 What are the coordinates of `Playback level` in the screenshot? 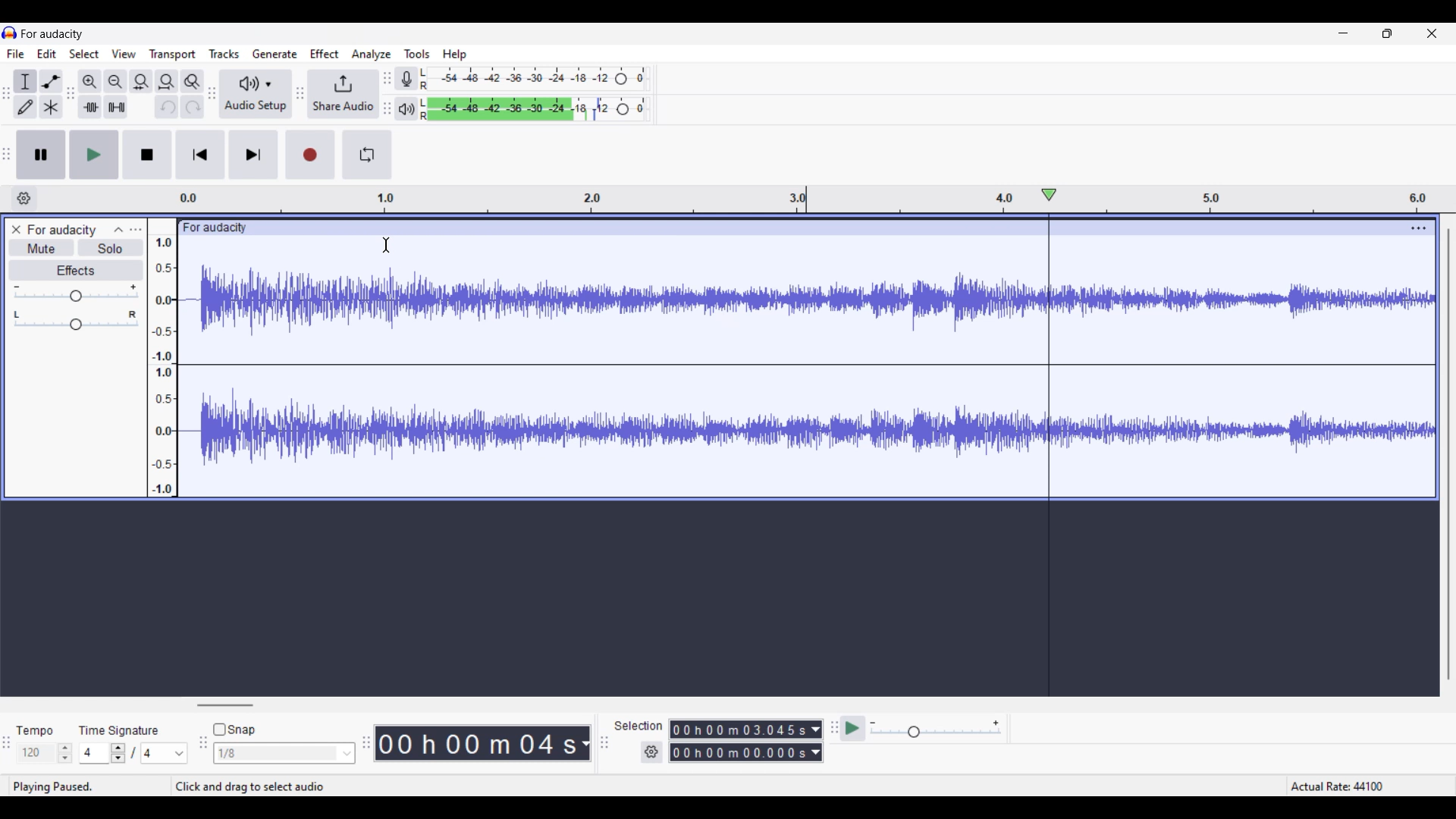 It's located at (535, 108).